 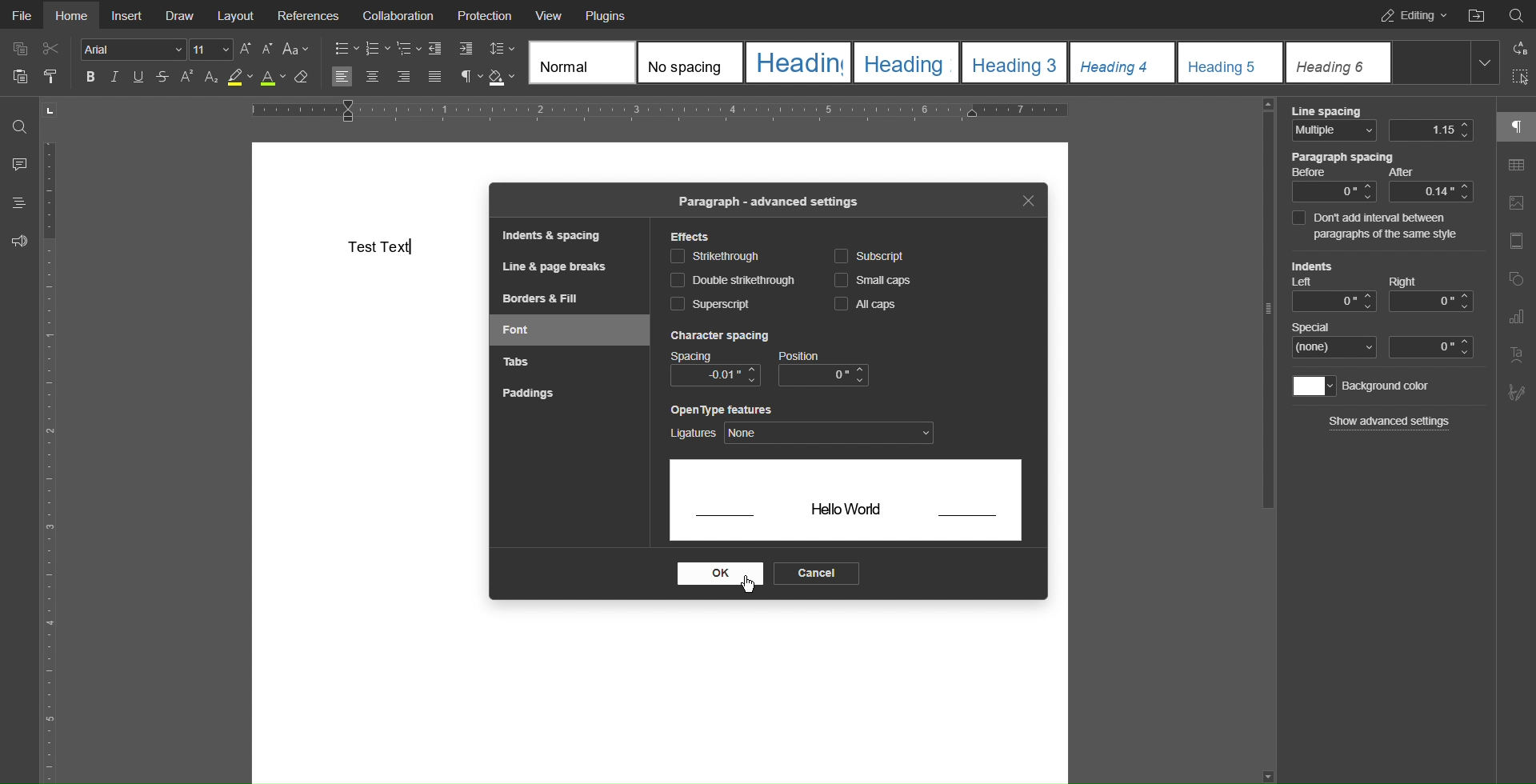 I want to click on Numbered List, so click(x=377, y=50).